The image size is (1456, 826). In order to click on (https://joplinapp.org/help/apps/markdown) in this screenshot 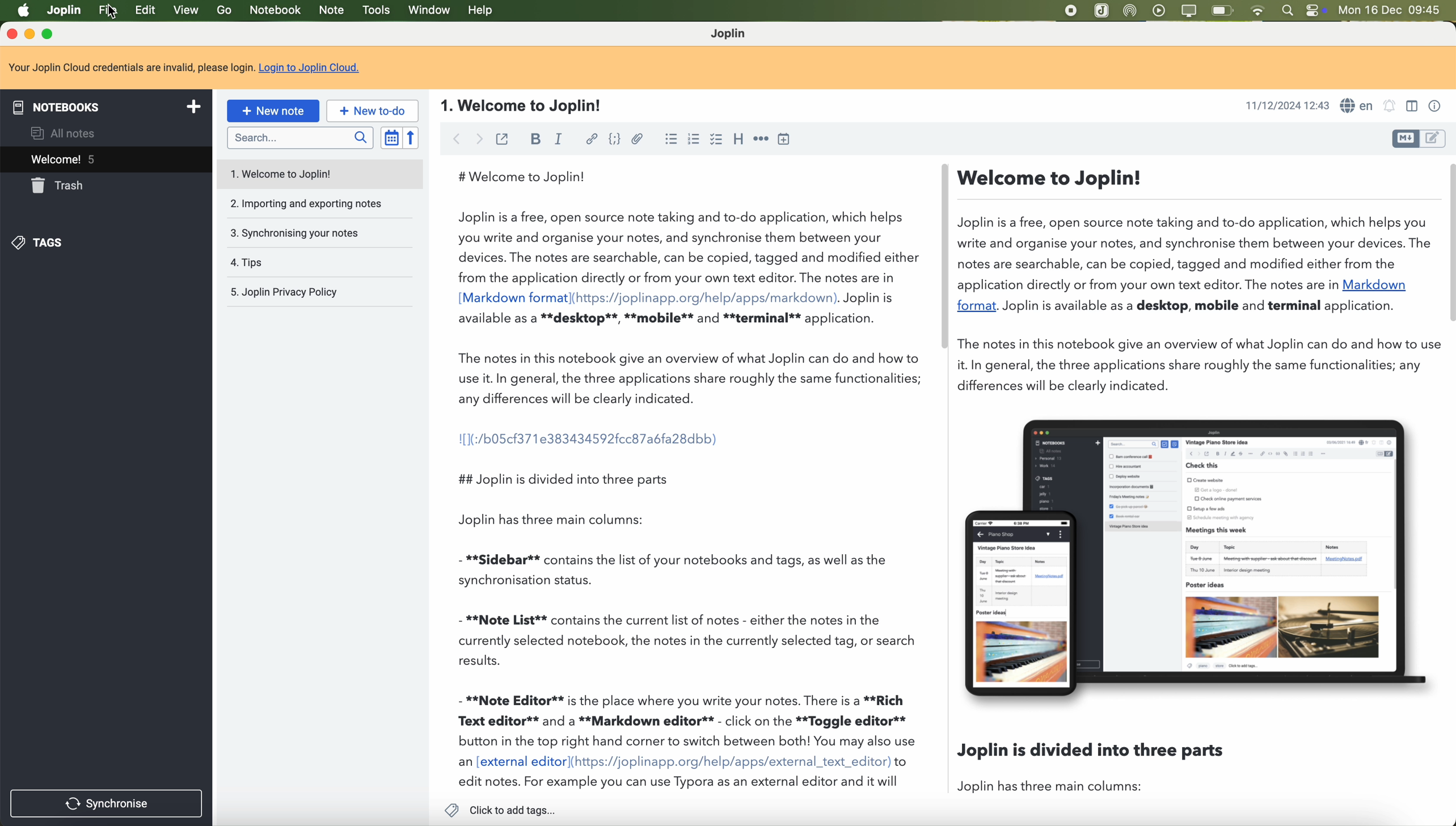, I will do `click(706, 297)`.